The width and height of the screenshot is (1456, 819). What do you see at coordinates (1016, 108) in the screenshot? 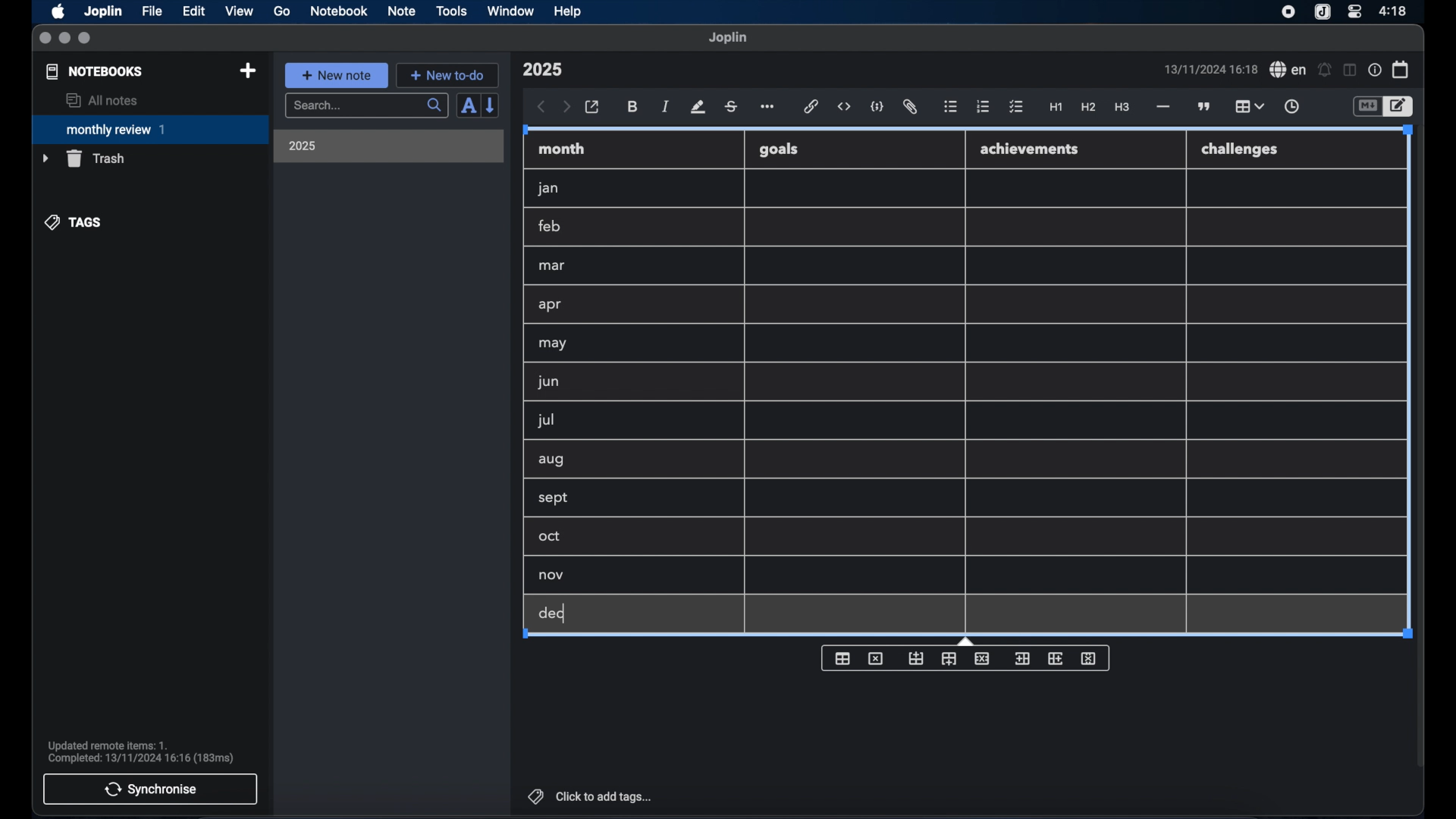
I see `check  list` at bounding box center [1016, 108].